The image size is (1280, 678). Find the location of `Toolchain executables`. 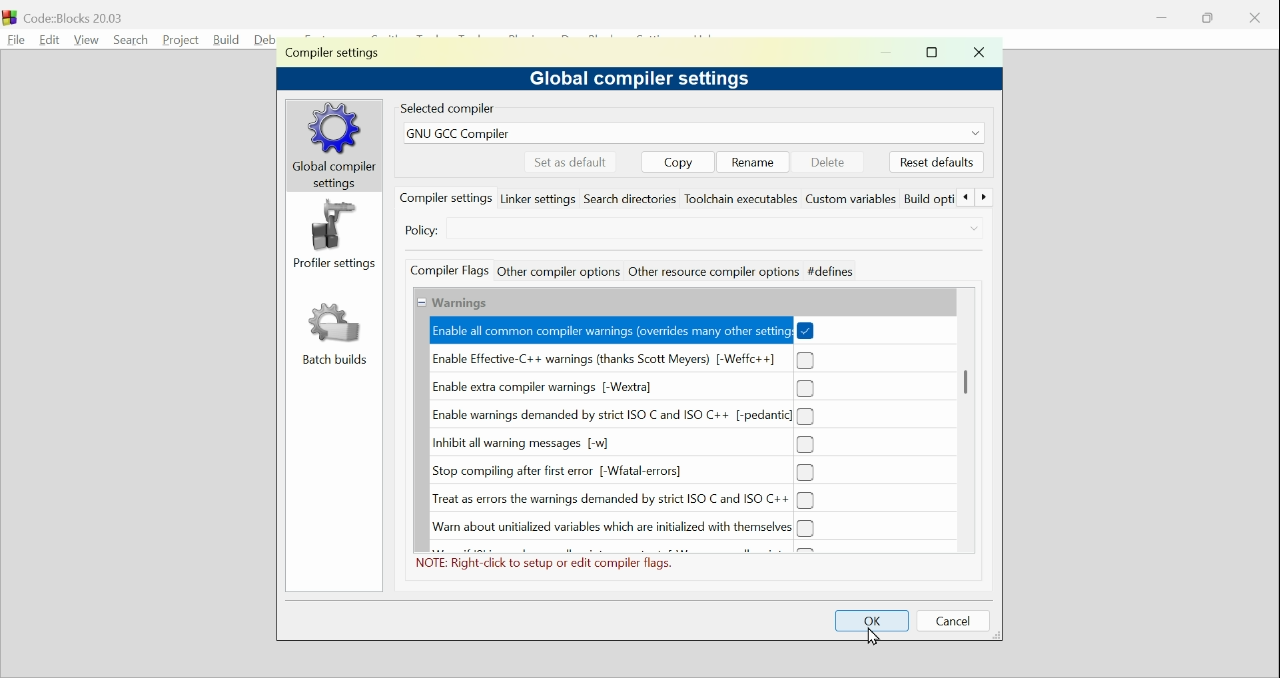

Toolchain executables is located at coordinates (743, 200).